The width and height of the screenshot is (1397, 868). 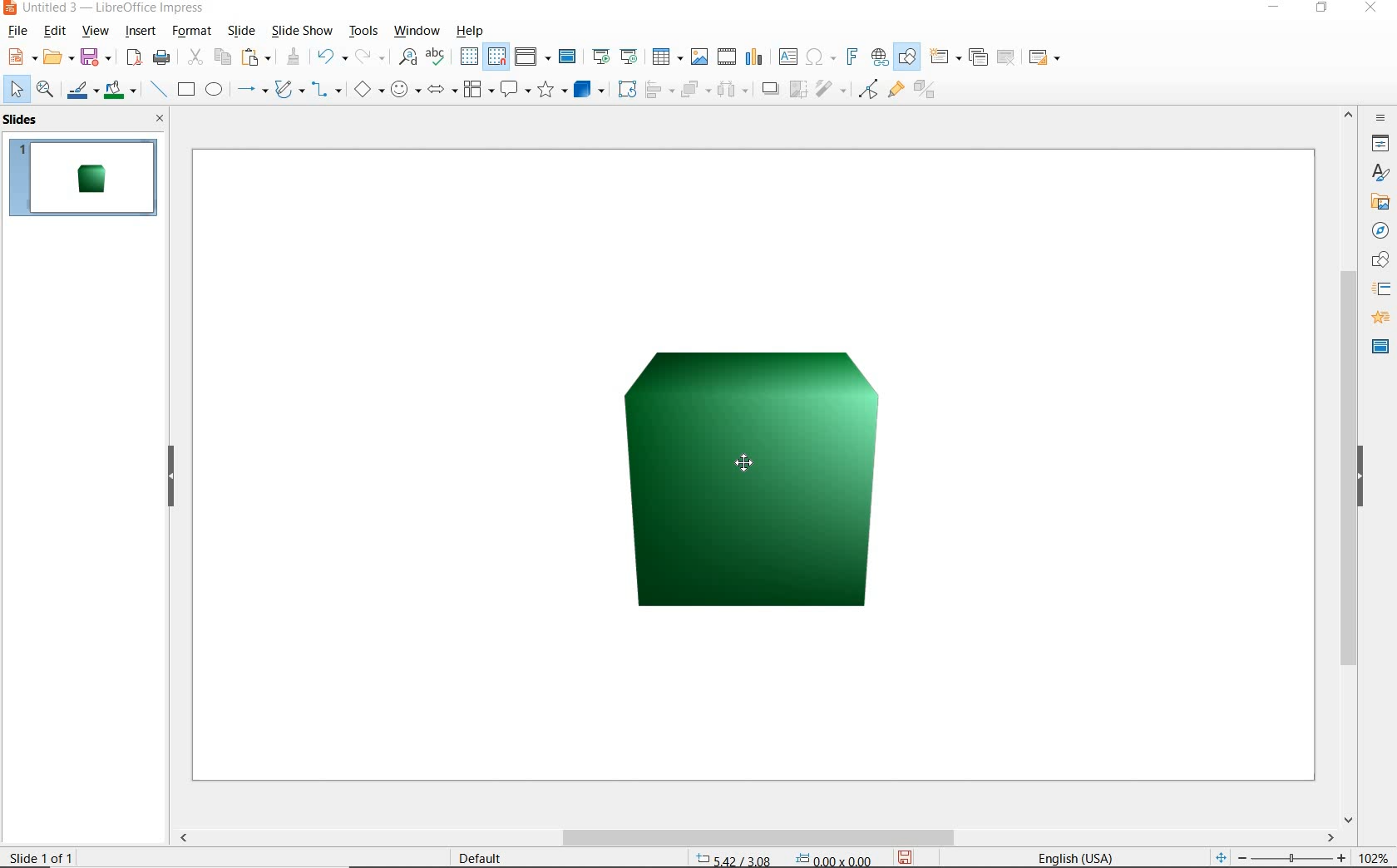 I want to click on duplicate slide, so click(x=978, y=55).